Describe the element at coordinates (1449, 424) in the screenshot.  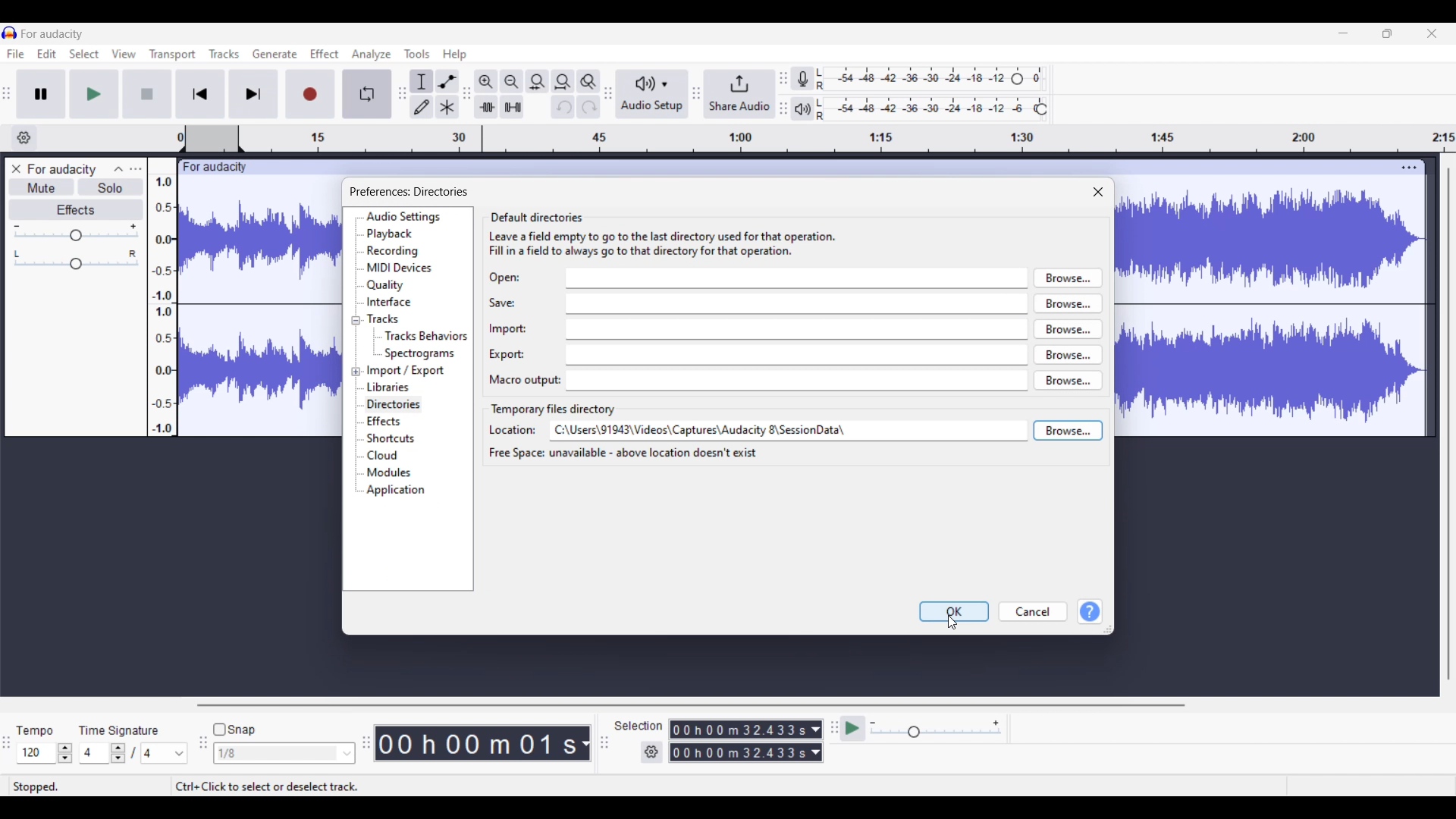
I see `Vertical scroll bar` at that location.